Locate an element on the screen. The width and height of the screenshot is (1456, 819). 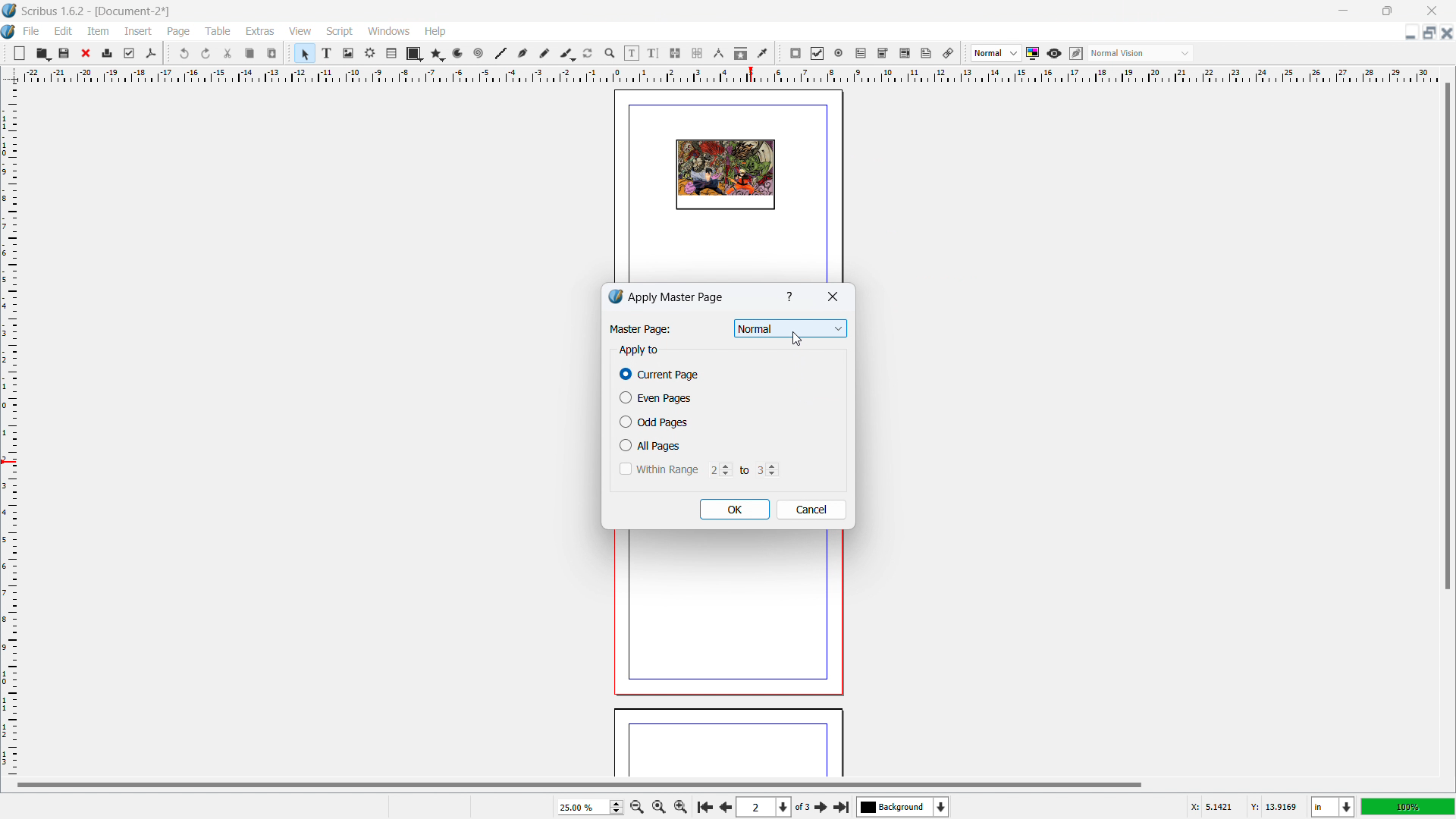
maximize window is located at coordinates (1385, 11).